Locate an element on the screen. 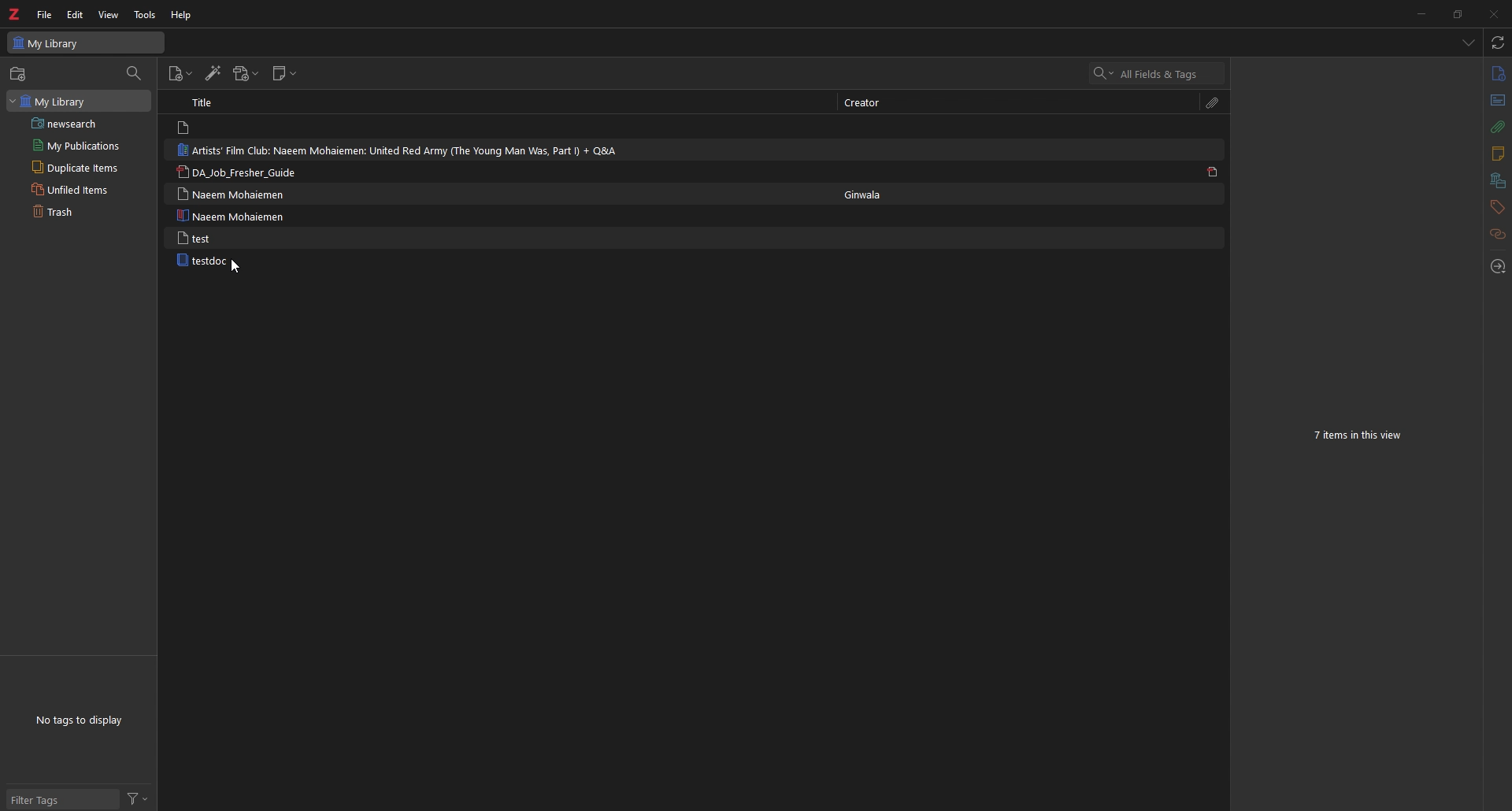  add attachment is located at coordinates (245, 74).